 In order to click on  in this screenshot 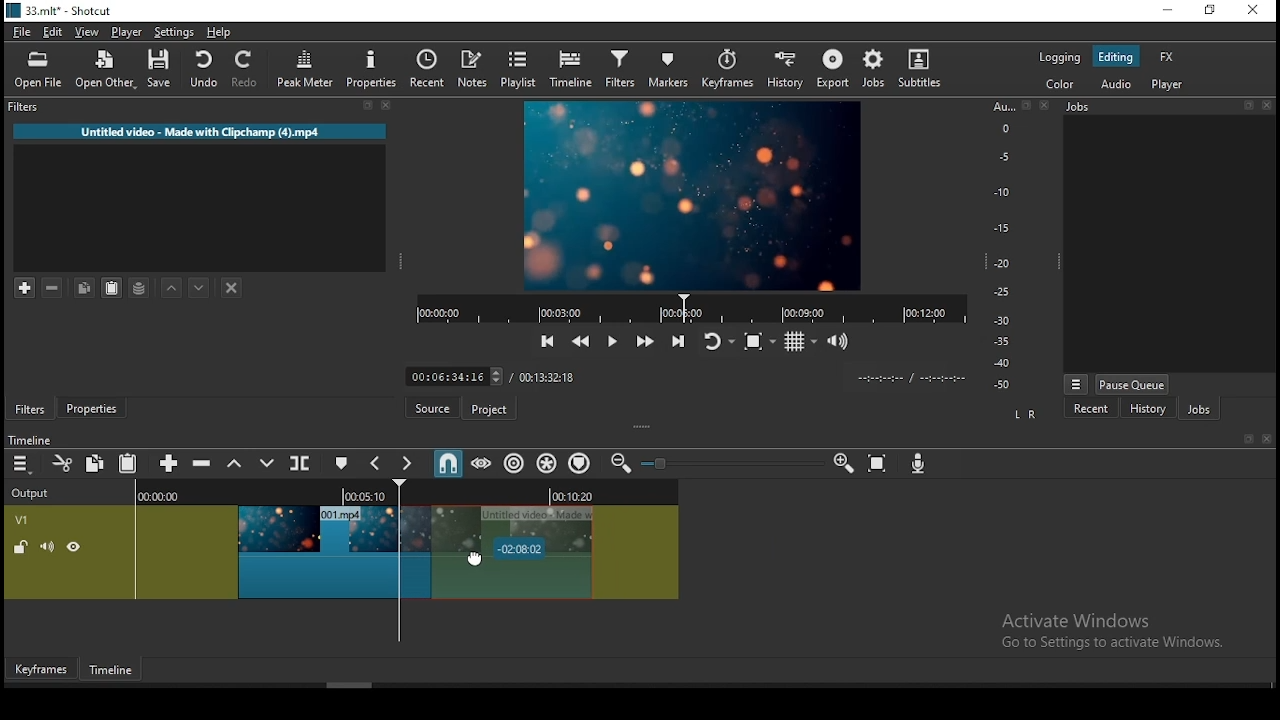, I will do `click(1250, 106)`.